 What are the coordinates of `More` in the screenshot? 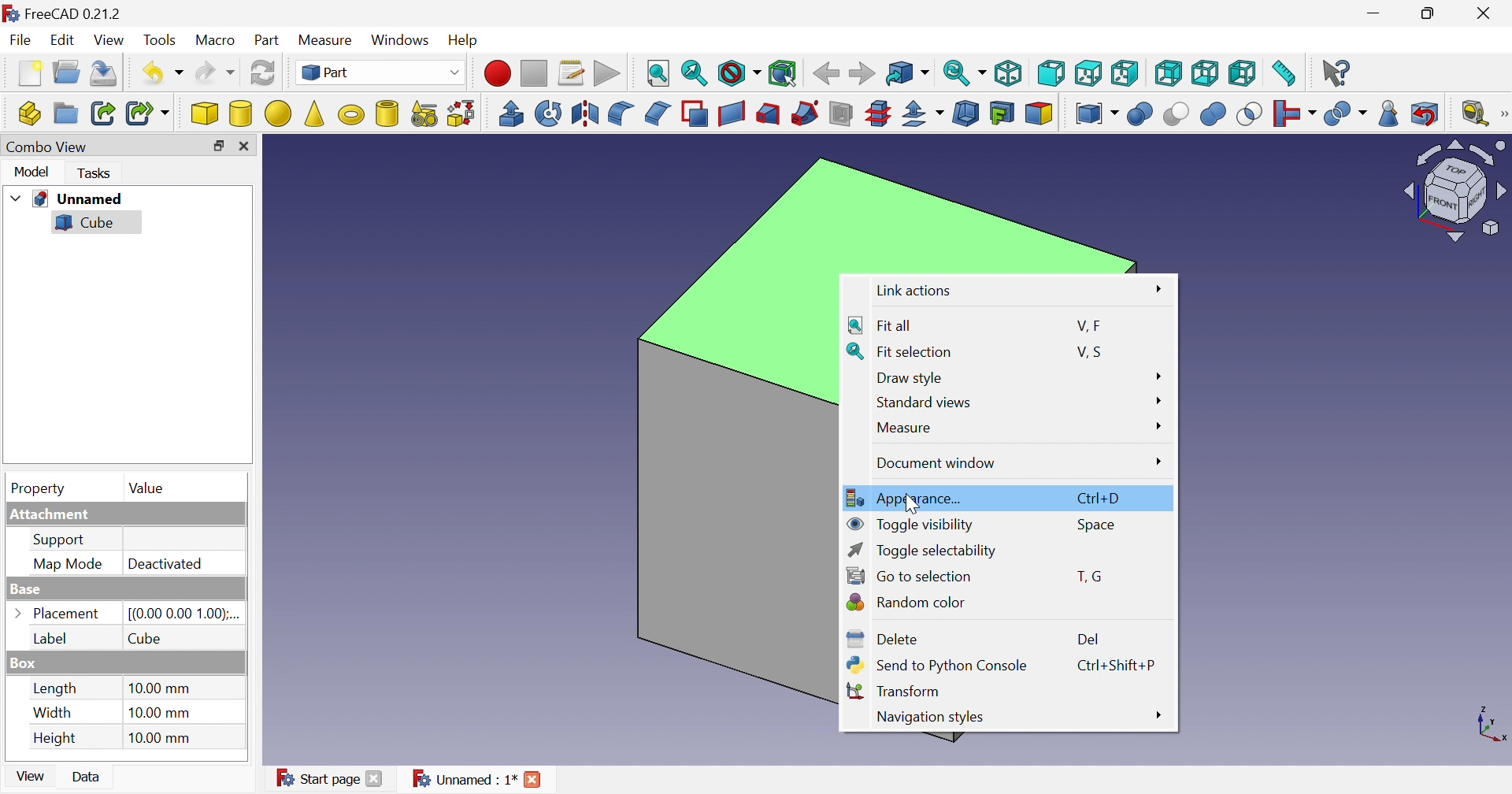 It's located at (1157, 716).